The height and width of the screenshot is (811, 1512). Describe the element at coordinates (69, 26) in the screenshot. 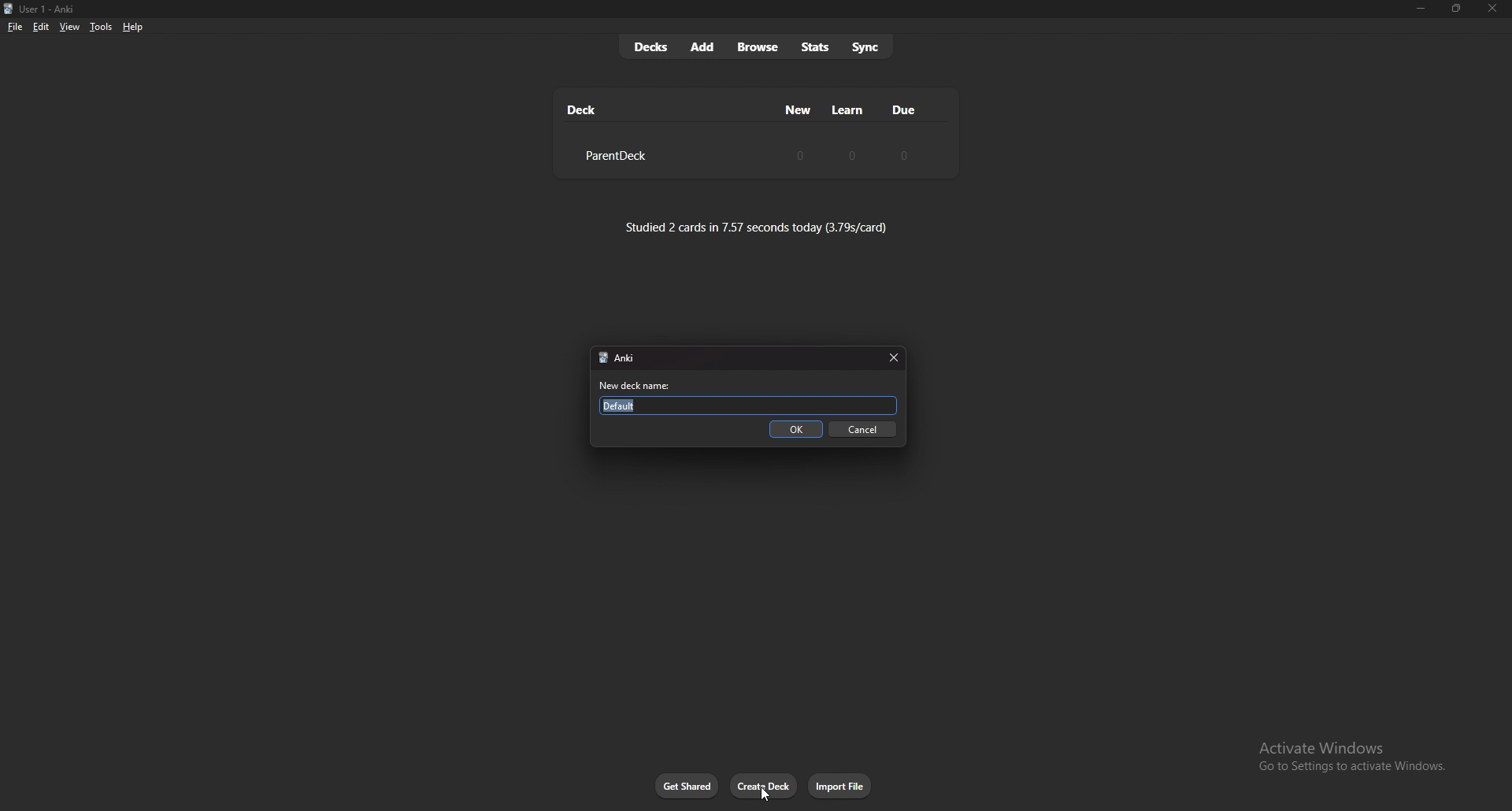

I see `view` at that location.